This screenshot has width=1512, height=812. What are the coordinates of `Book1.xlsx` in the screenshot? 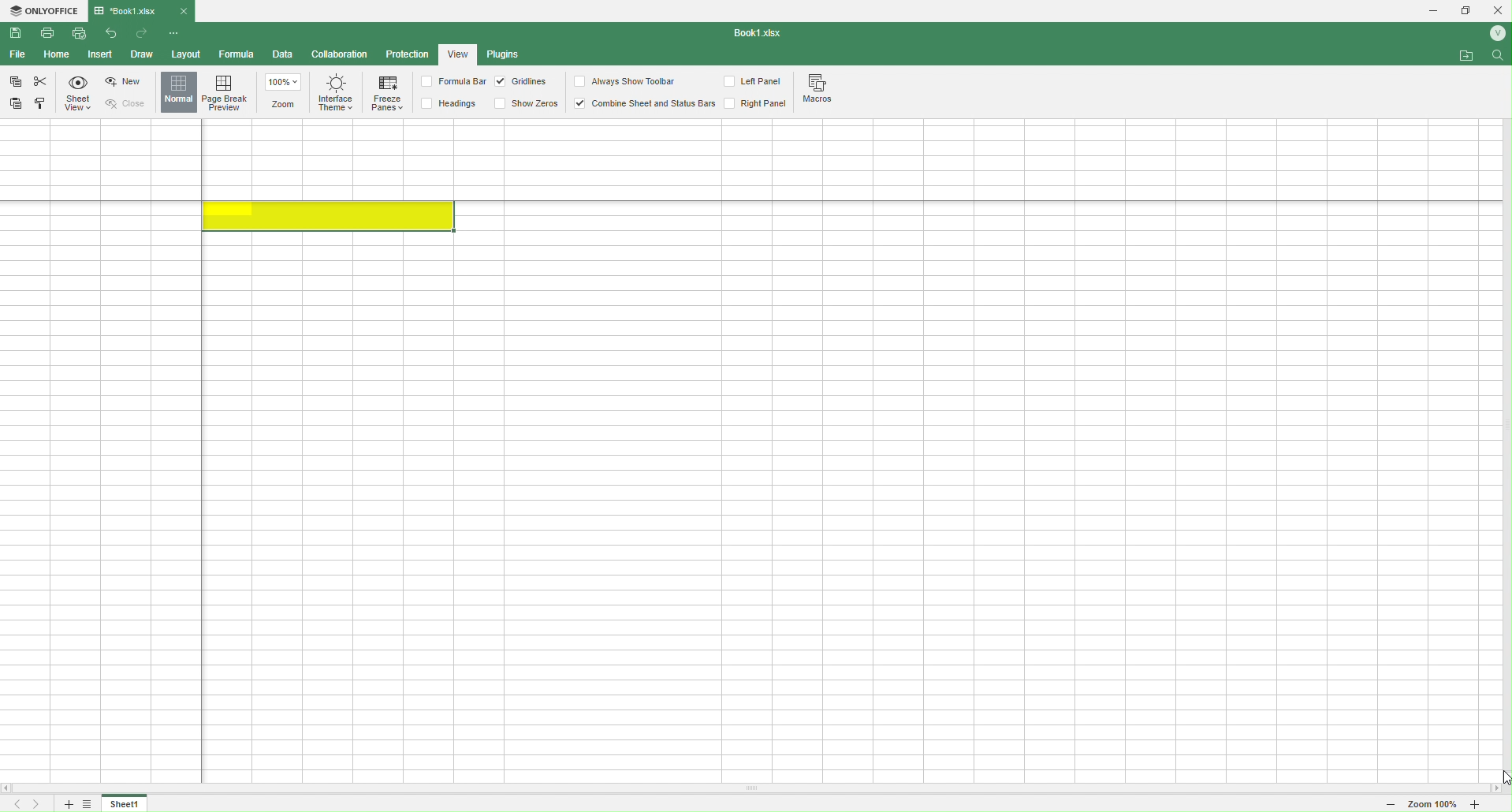 It's located at (762, 34).